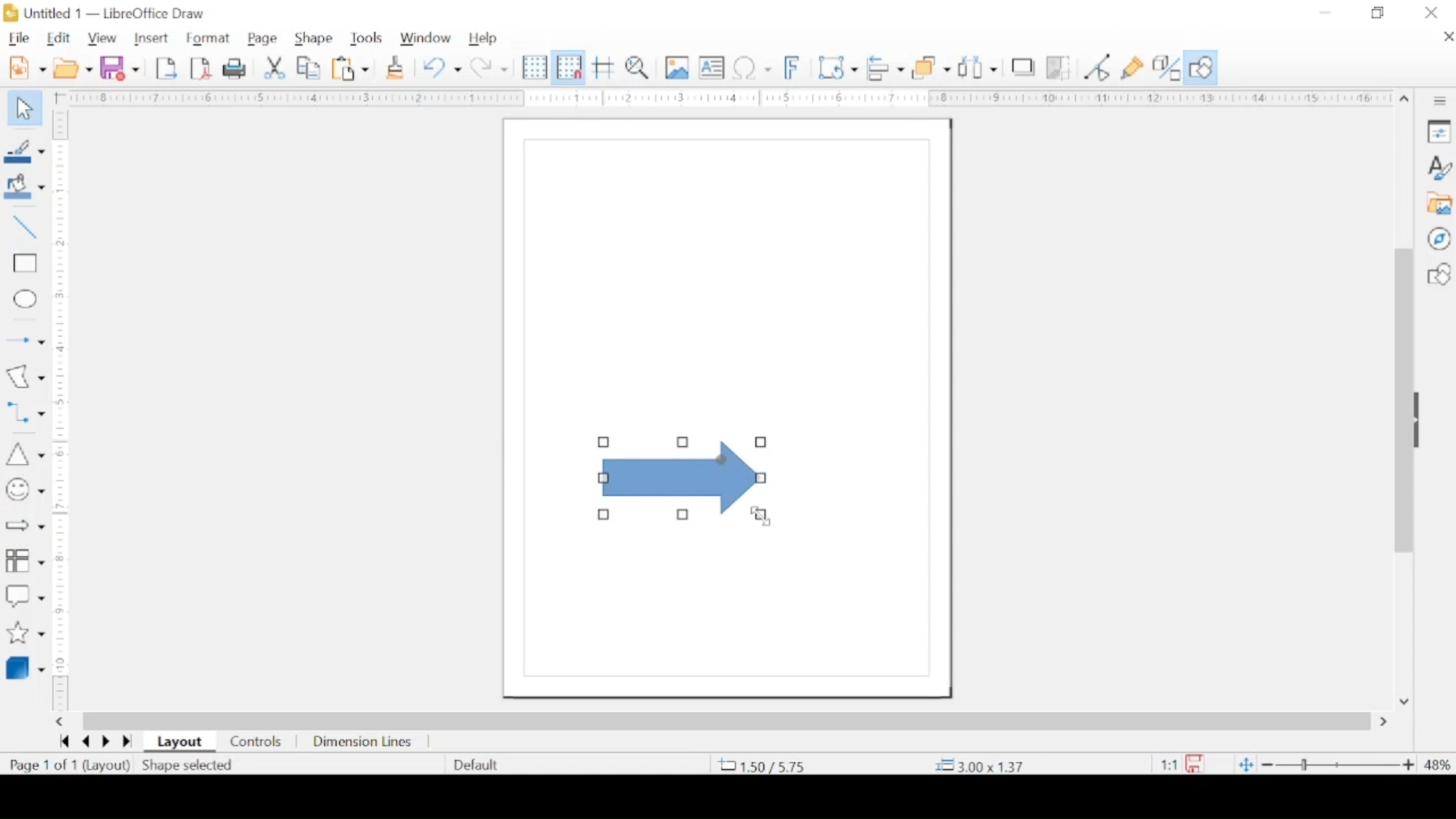 This screenshot has height=819, width=1456. What do you see at coordinates (1244, 764) in the screenshot?
I see `fit to current. window` at bounding box center [1244, 764].